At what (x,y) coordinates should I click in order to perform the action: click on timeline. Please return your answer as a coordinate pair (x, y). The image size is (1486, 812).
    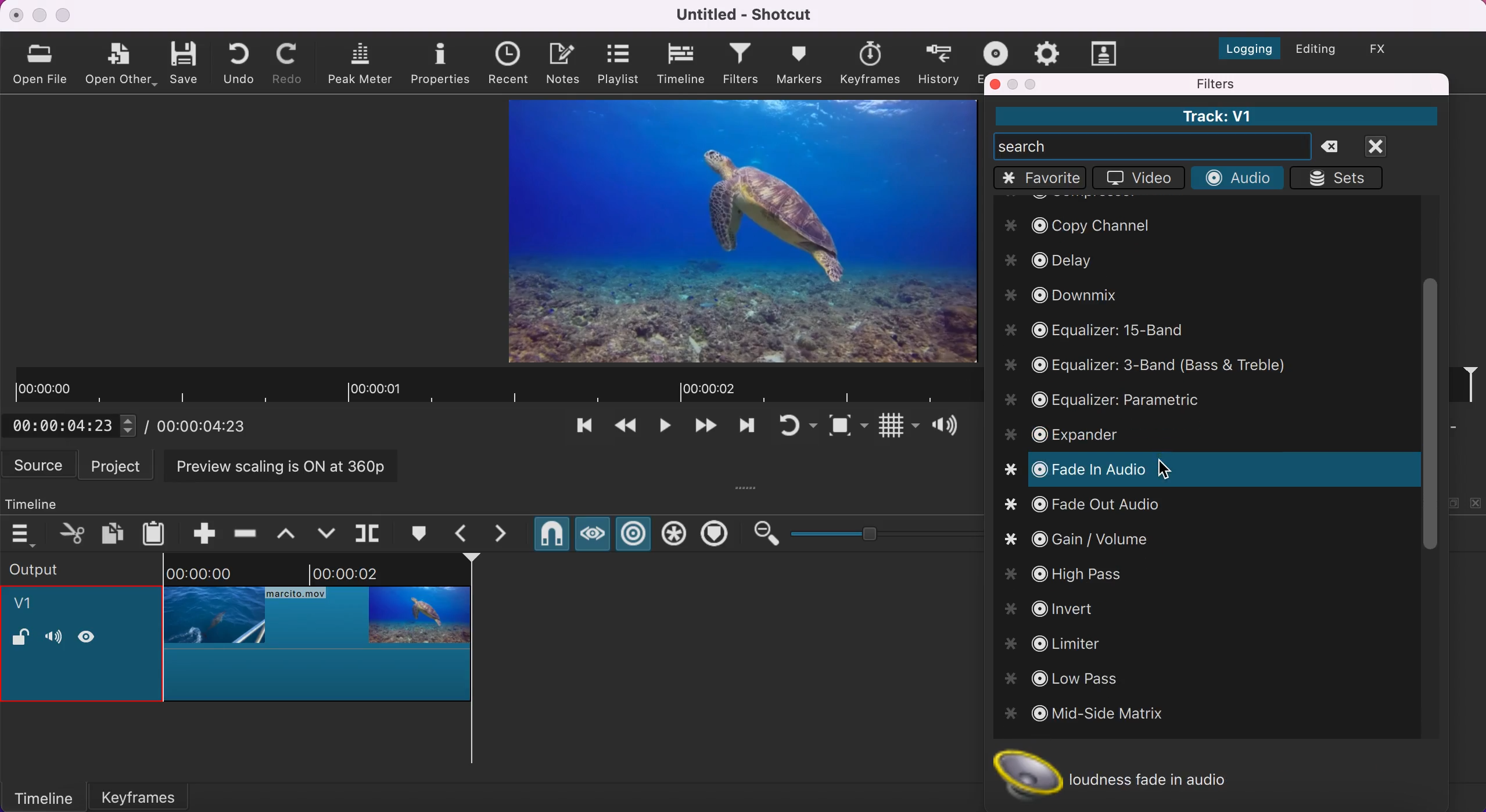
    Looking at the image, I should click on (683, 64).